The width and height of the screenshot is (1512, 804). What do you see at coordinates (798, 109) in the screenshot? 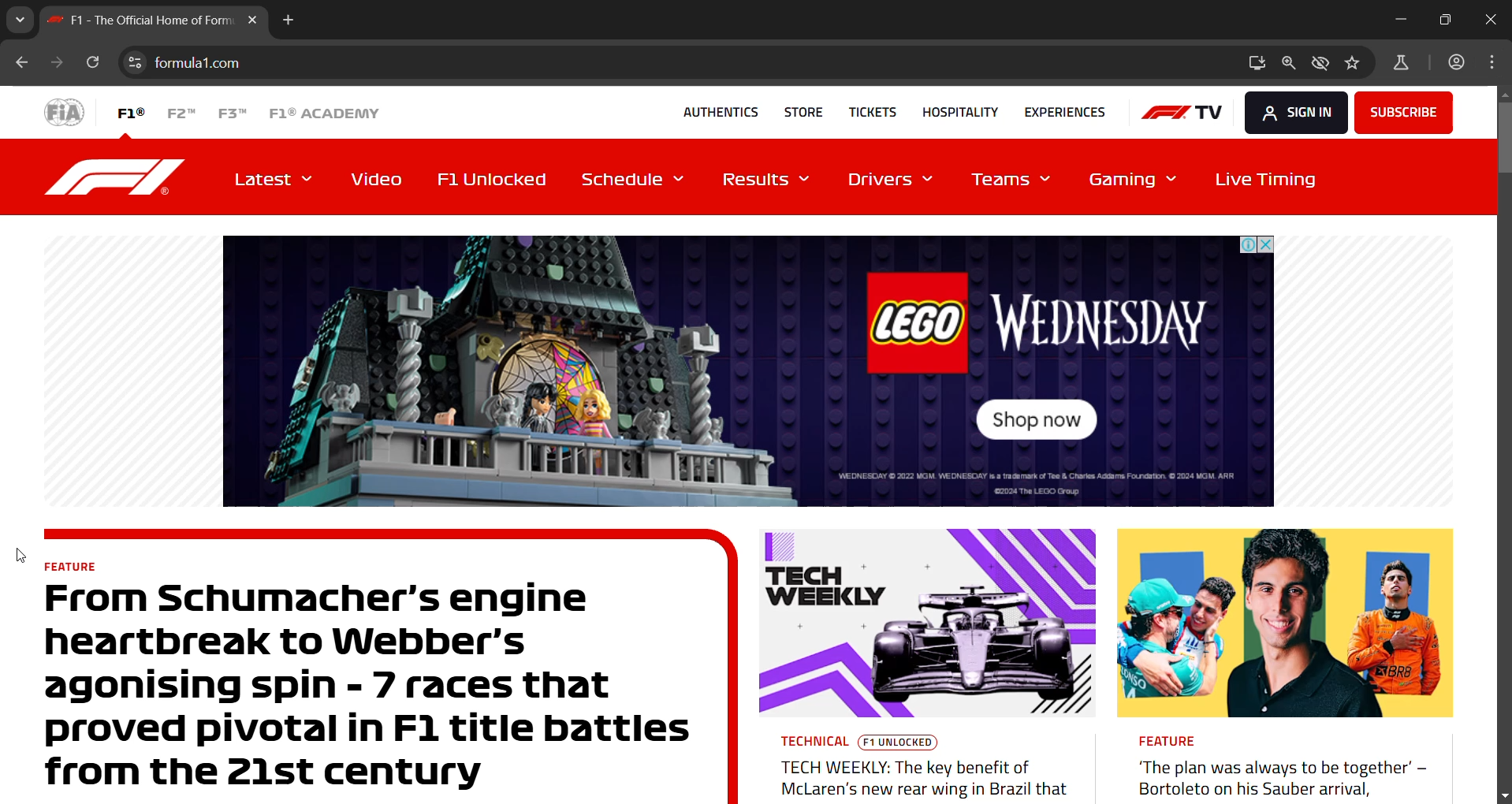
I see `STORE` at bounding box center [798, 109].